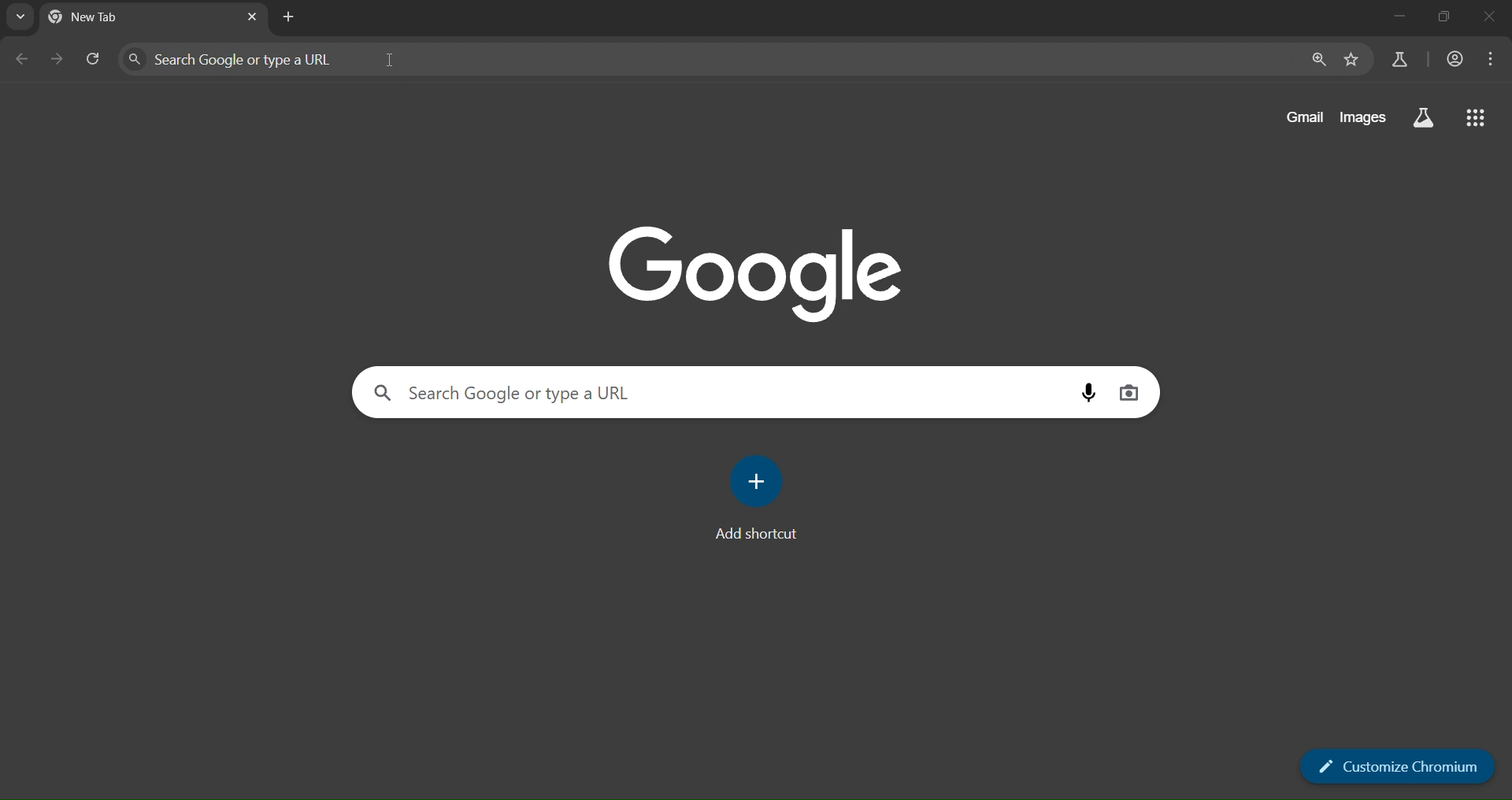  Describe the element at coordinates (1352, 59) in the screenshot. I see `bookmark page` at that location.